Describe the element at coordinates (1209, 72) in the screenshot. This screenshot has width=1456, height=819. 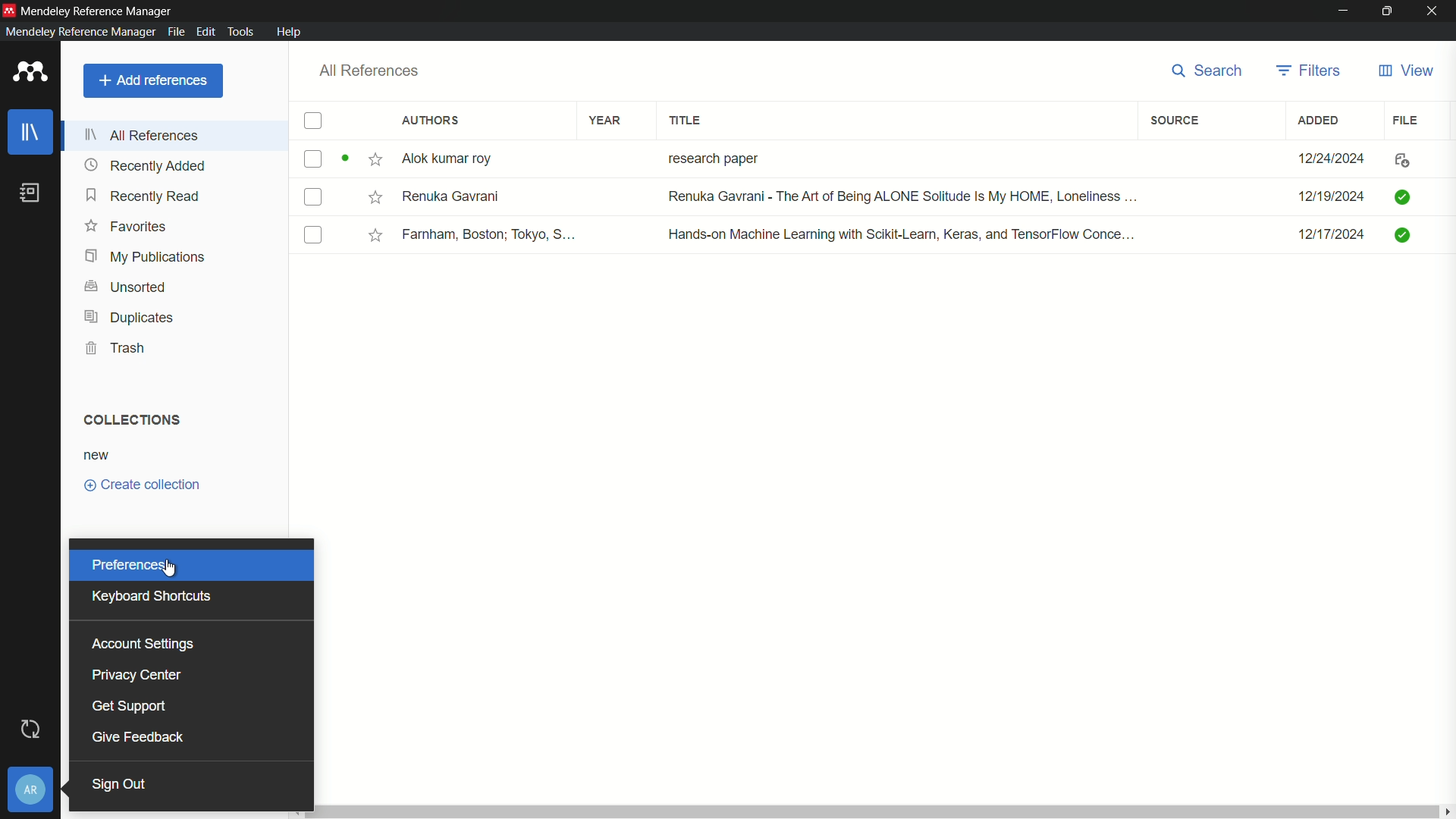
I see `search` at that location.